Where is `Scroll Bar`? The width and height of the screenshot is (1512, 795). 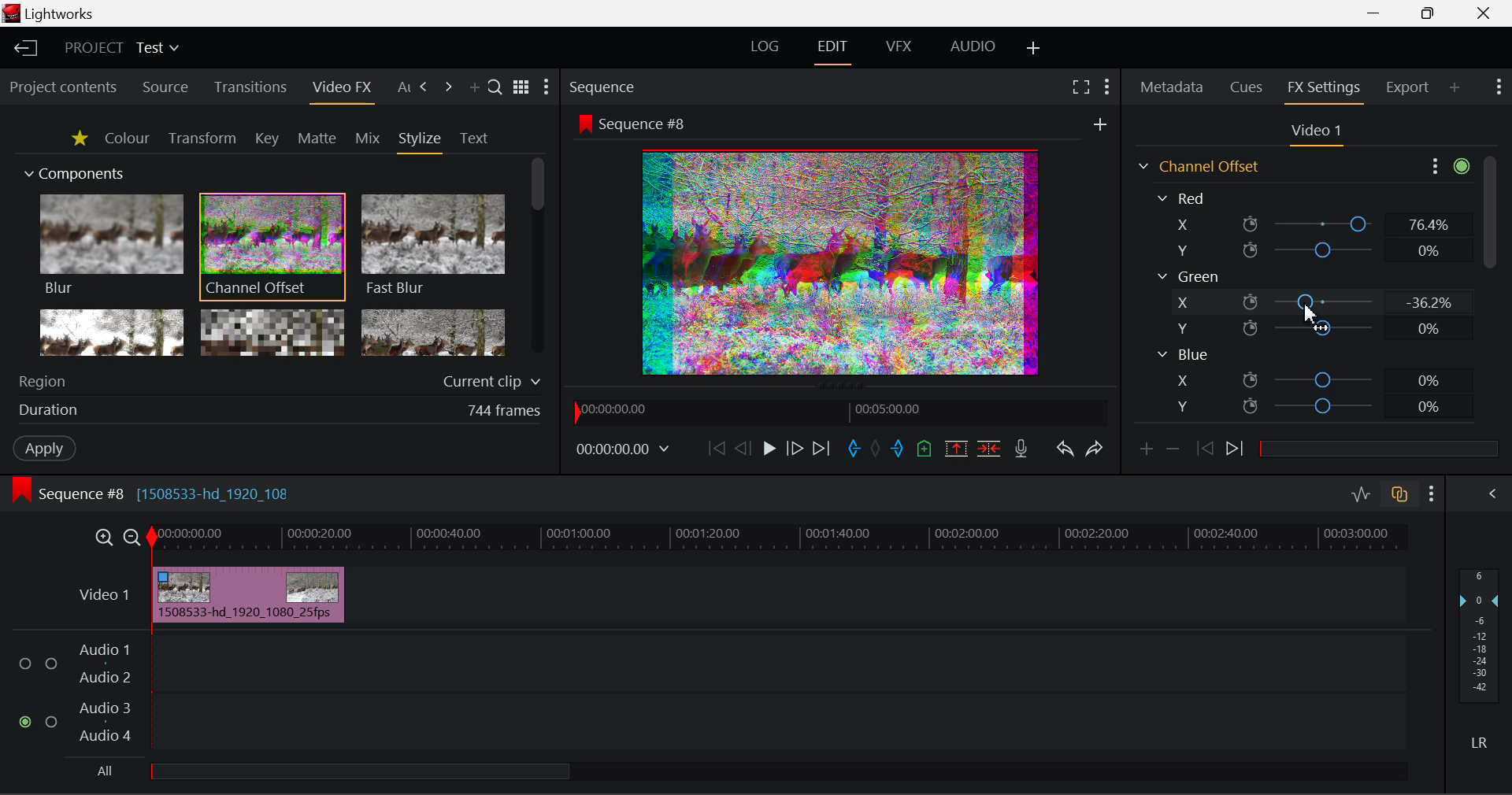
Scroll Bar is located at coordinates (1489, 294).